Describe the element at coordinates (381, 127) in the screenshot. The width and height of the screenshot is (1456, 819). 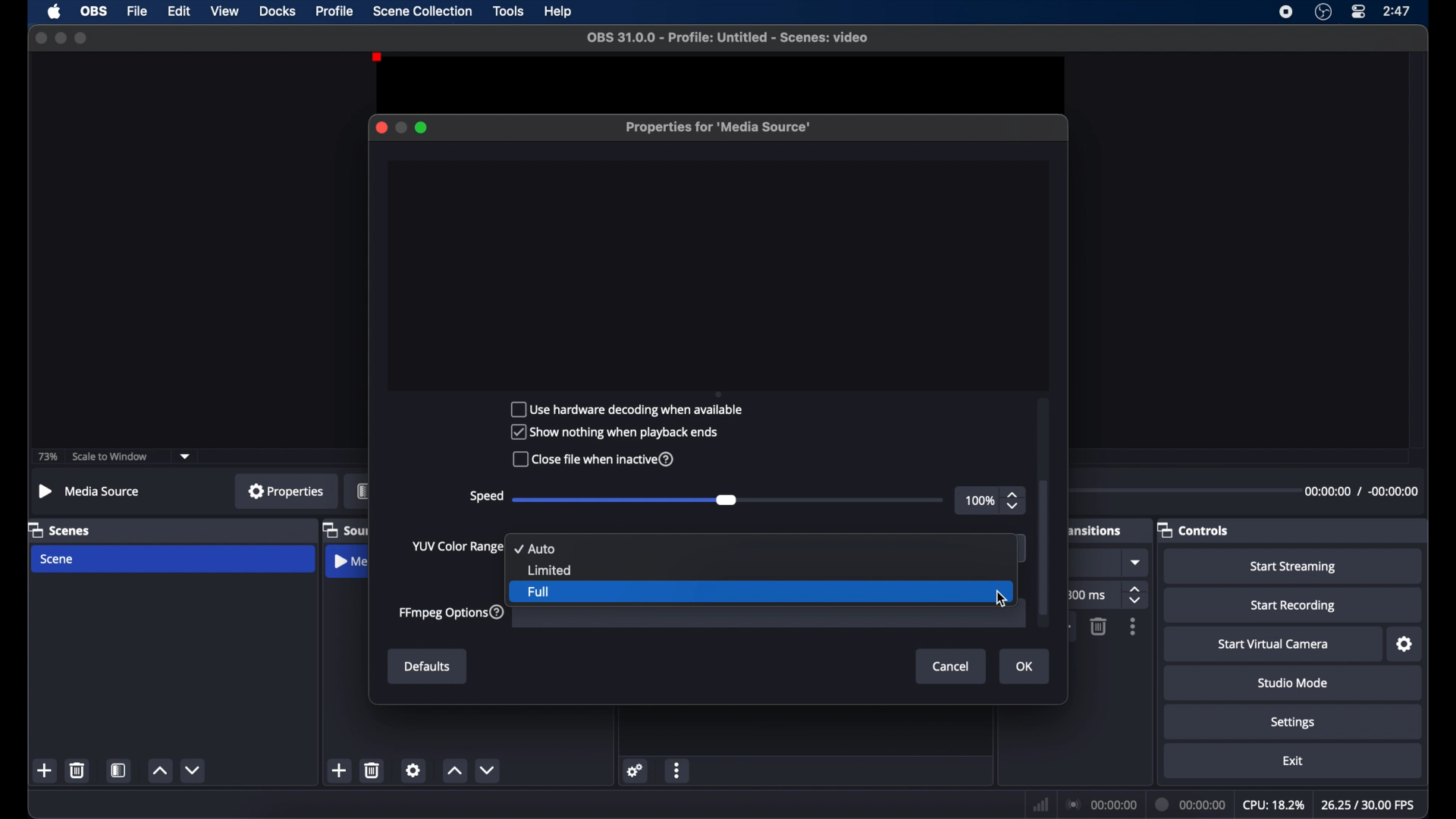
I see `close` at that location.